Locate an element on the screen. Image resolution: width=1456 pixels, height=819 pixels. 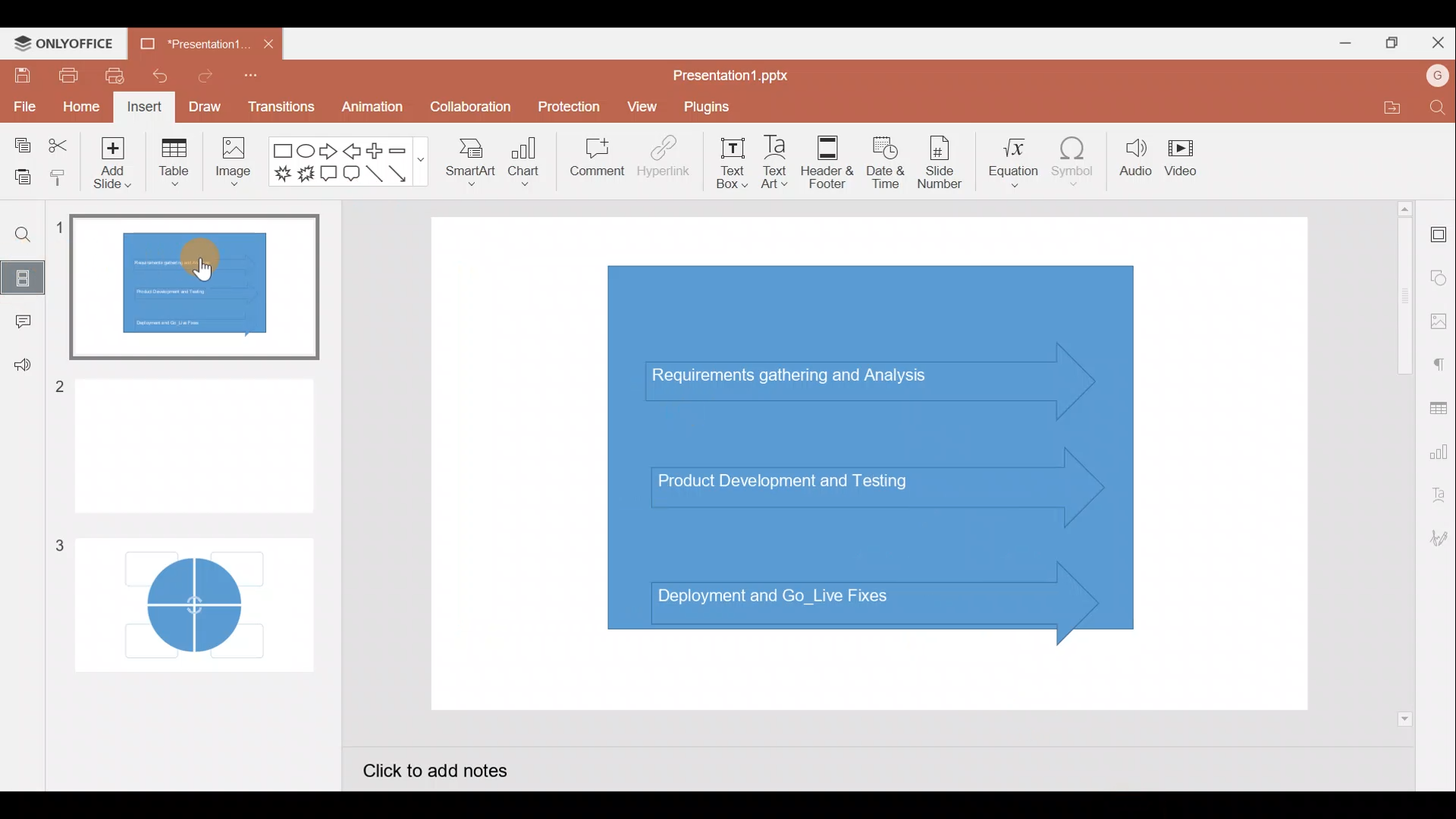
Collaboration is located at coordinates (469, 107).